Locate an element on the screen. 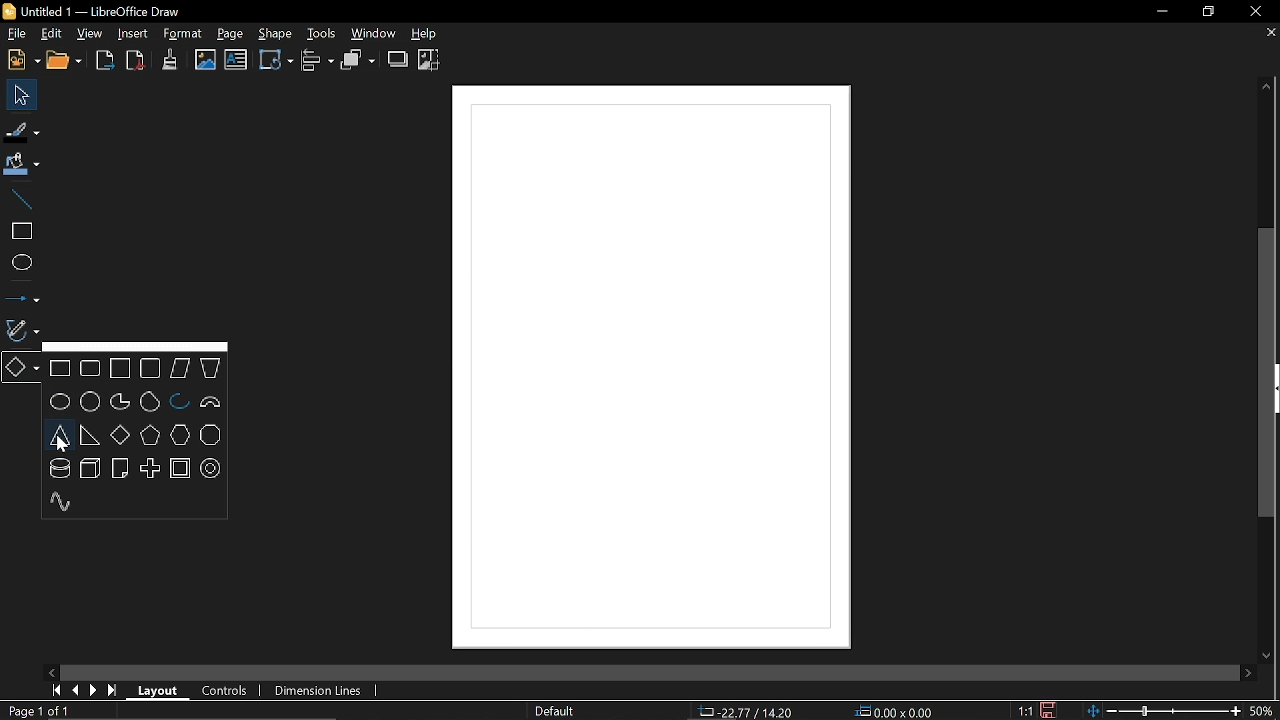 The width and height of the screenshot is (1280, 720). Rectangle is located at coordinates (20, 231).